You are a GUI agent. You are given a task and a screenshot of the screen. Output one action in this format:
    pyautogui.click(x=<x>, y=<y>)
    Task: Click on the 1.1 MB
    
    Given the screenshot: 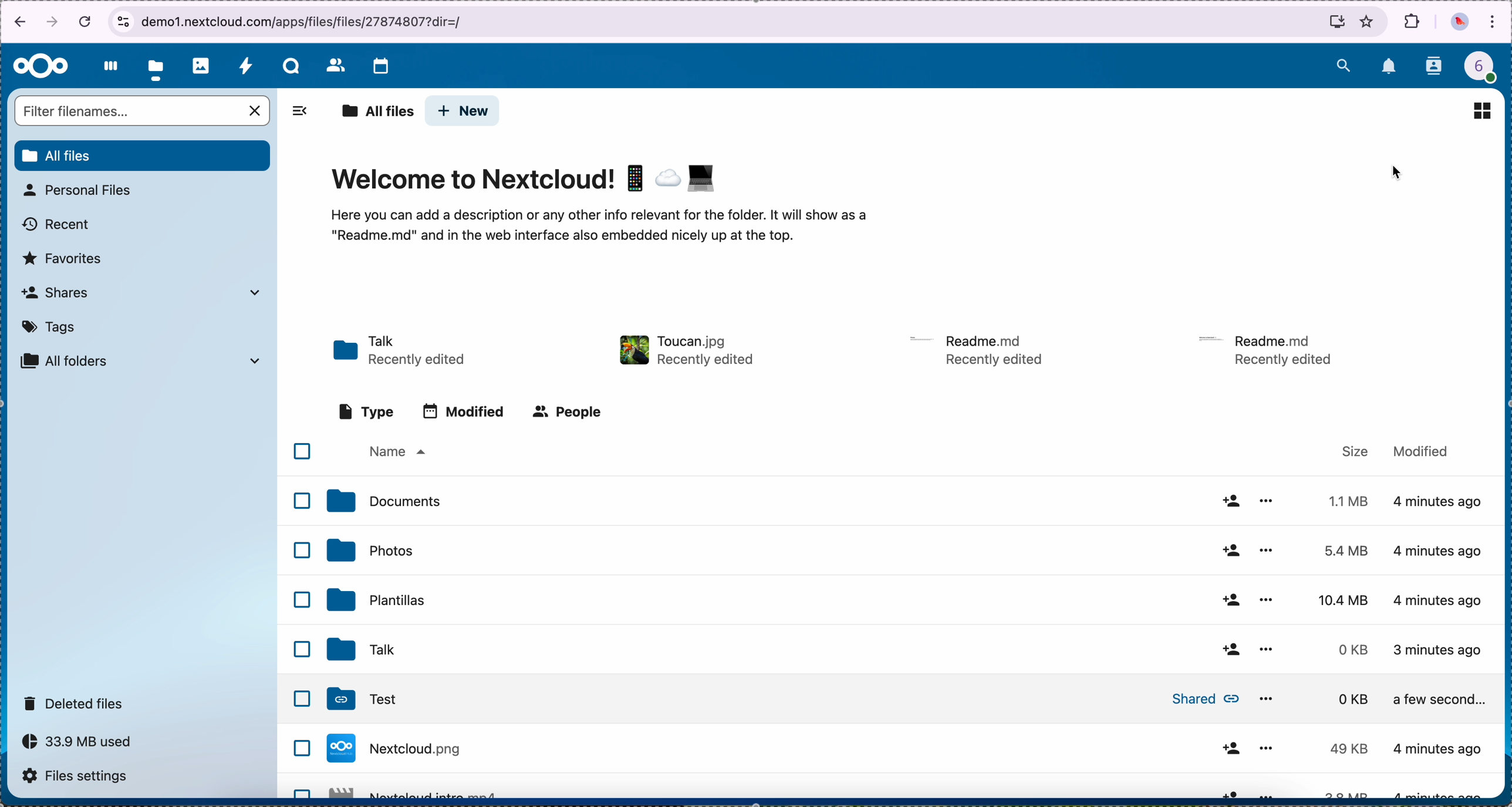 What is the action you would take?
    pyautogui.click(x=1345, y=499)
    